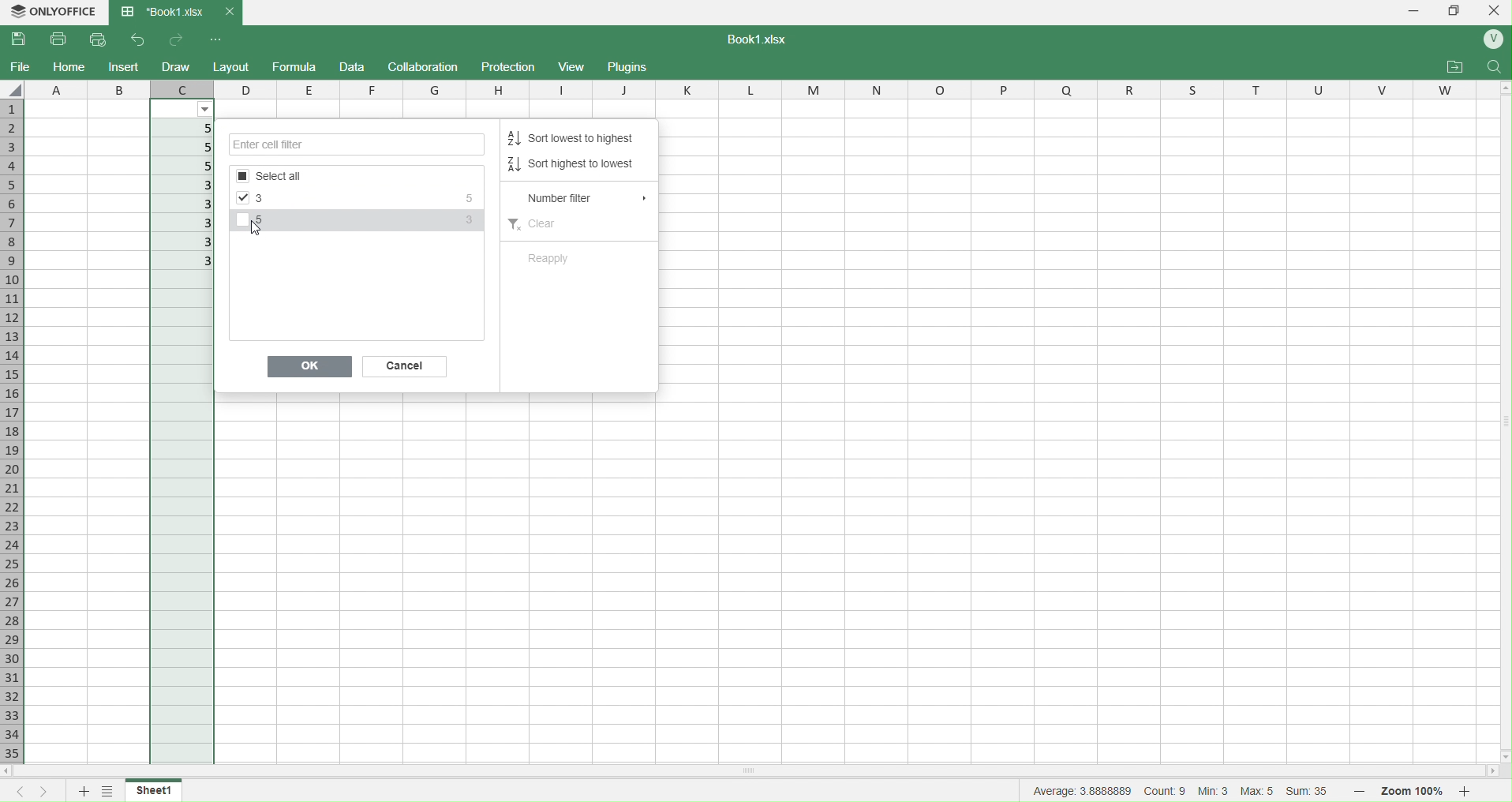  Describe the element at coordinates (182, 203) in the screenshot. I see `3` at that location.